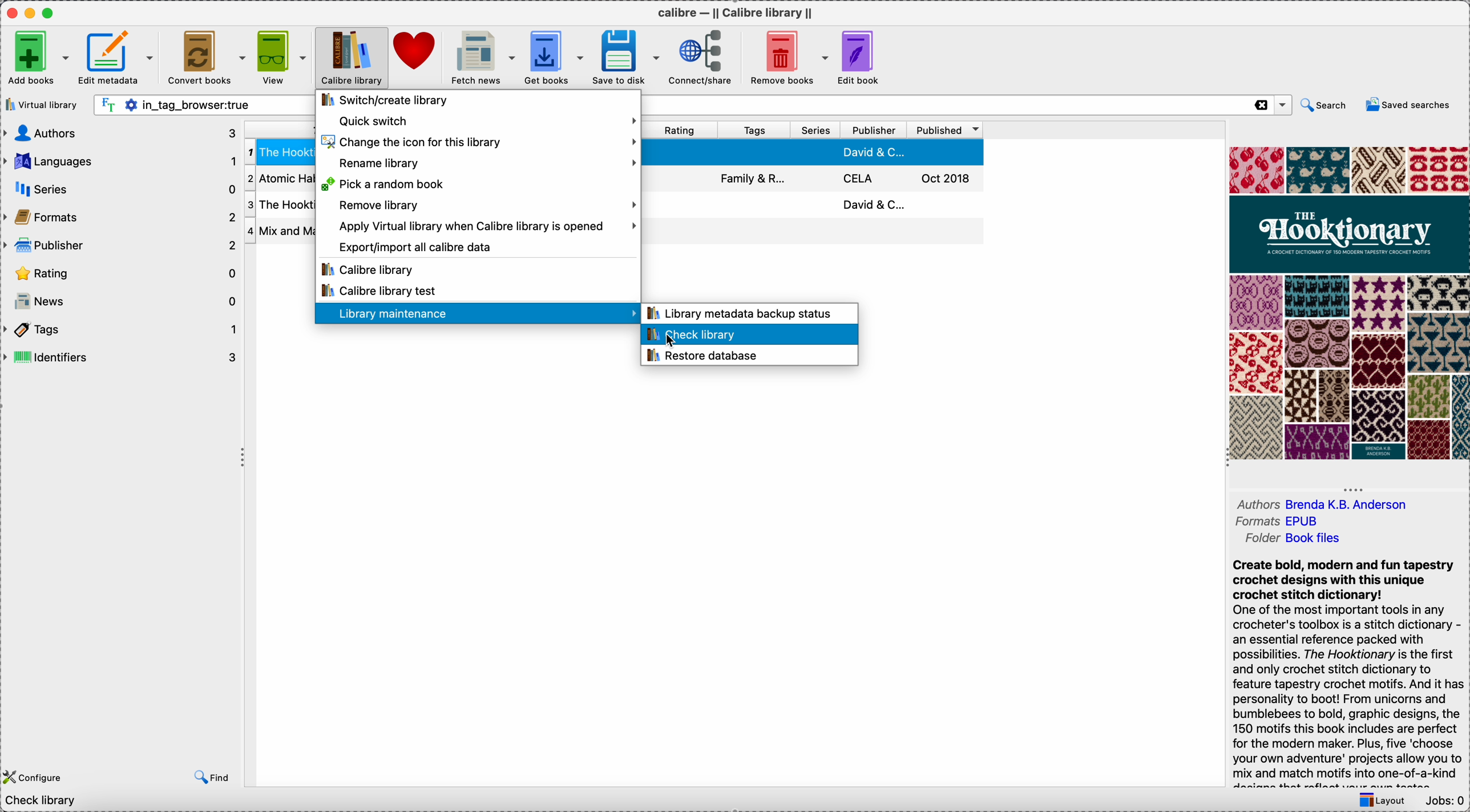 The height and width of the screenshot is (812, 1470). I want to click on first book, so click(819, 153).